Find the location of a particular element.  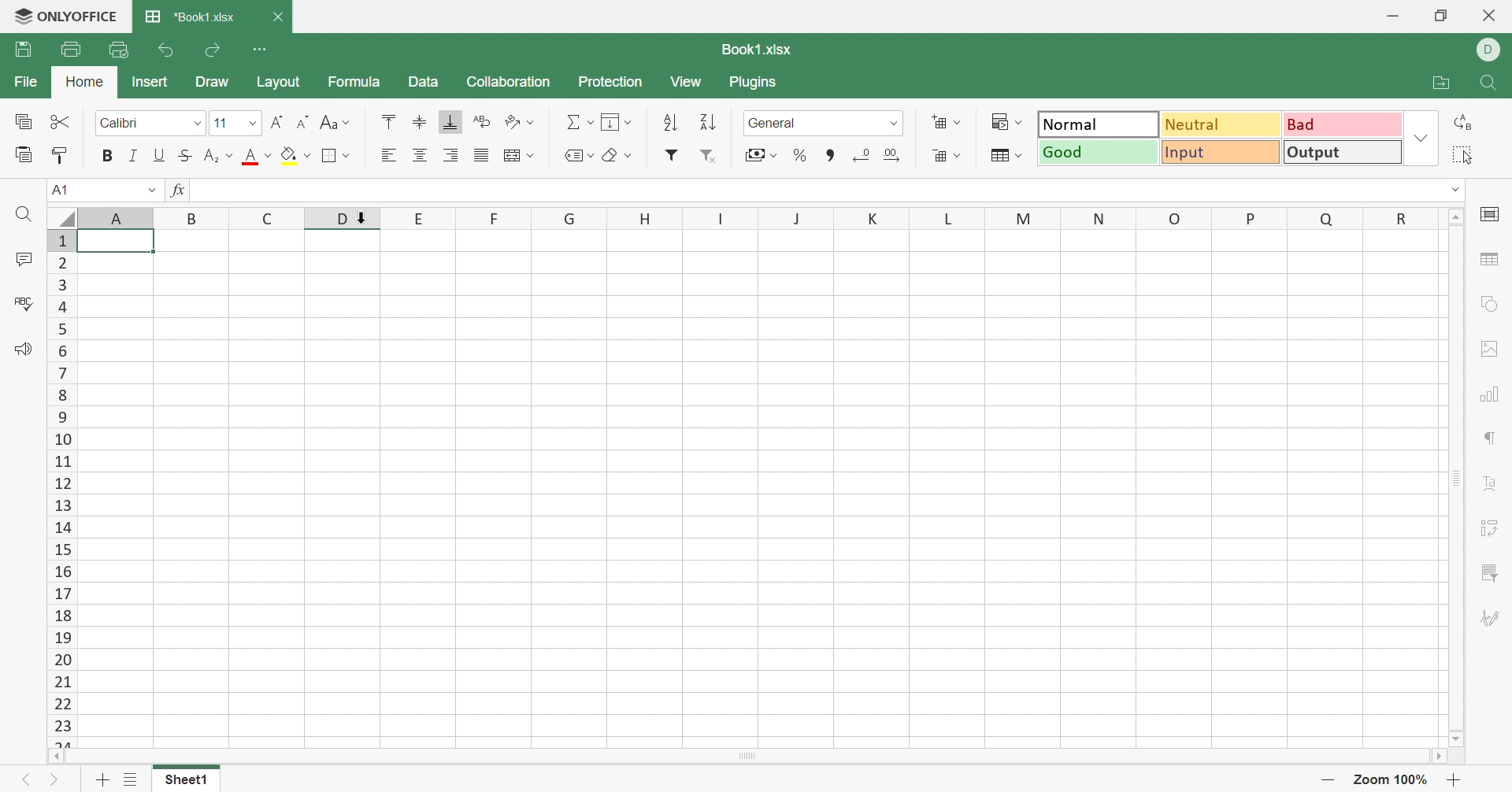

Drop Down is located at coordinates (628, 155).